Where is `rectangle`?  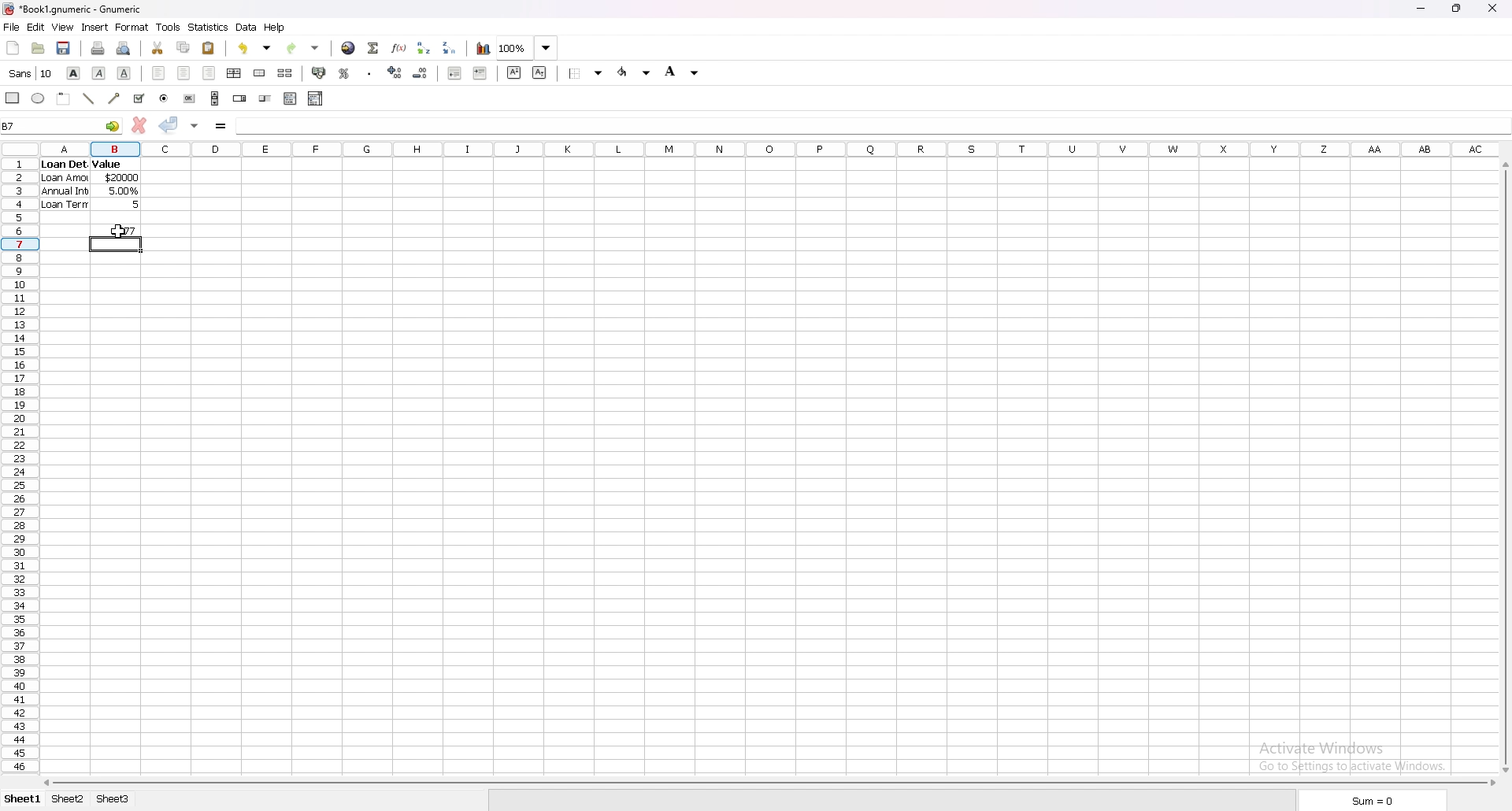 rectangle is located at coordinates (13, 97).